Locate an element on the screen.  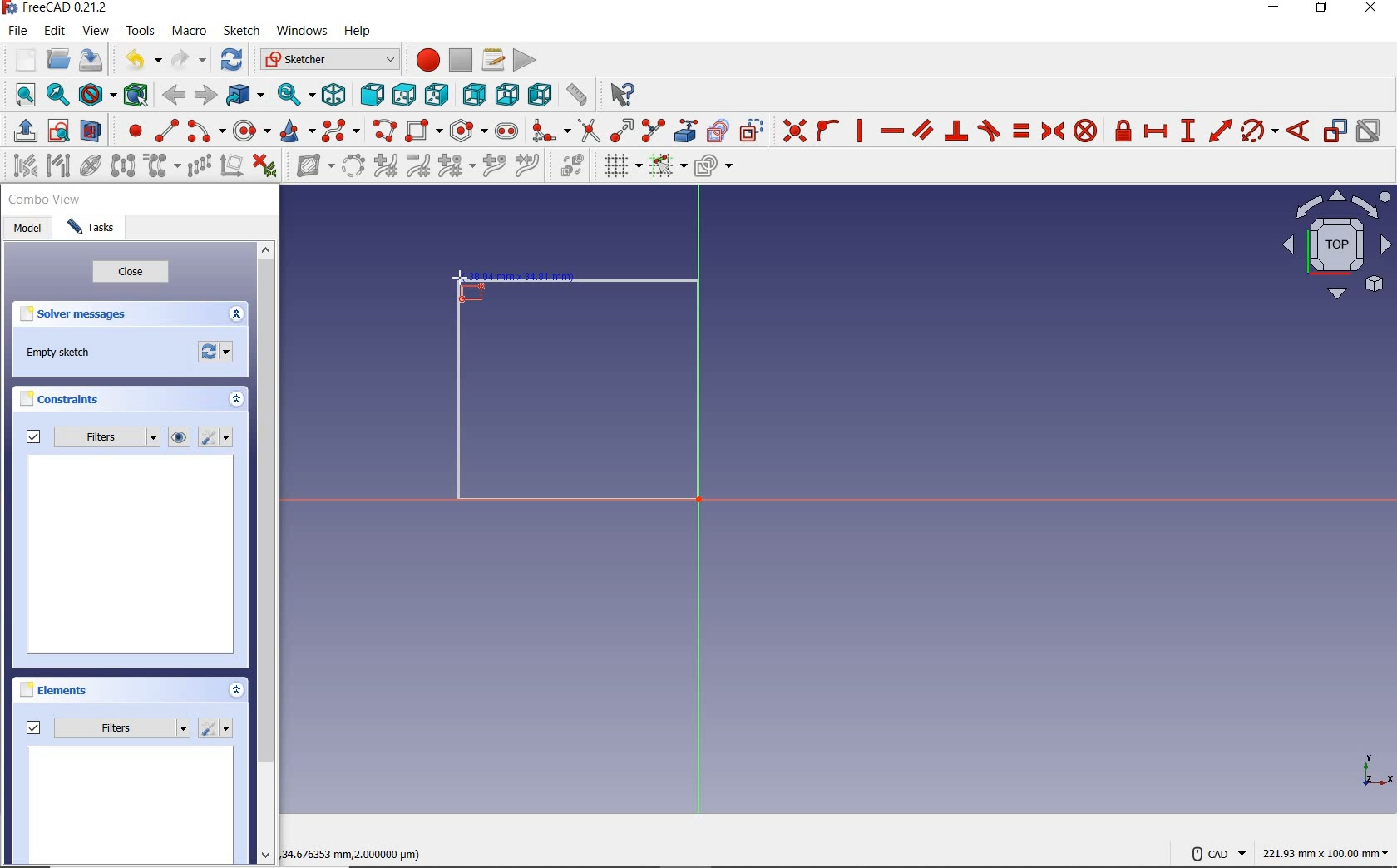
constrain horizontal ditance is located at coordinates (1158, 131).